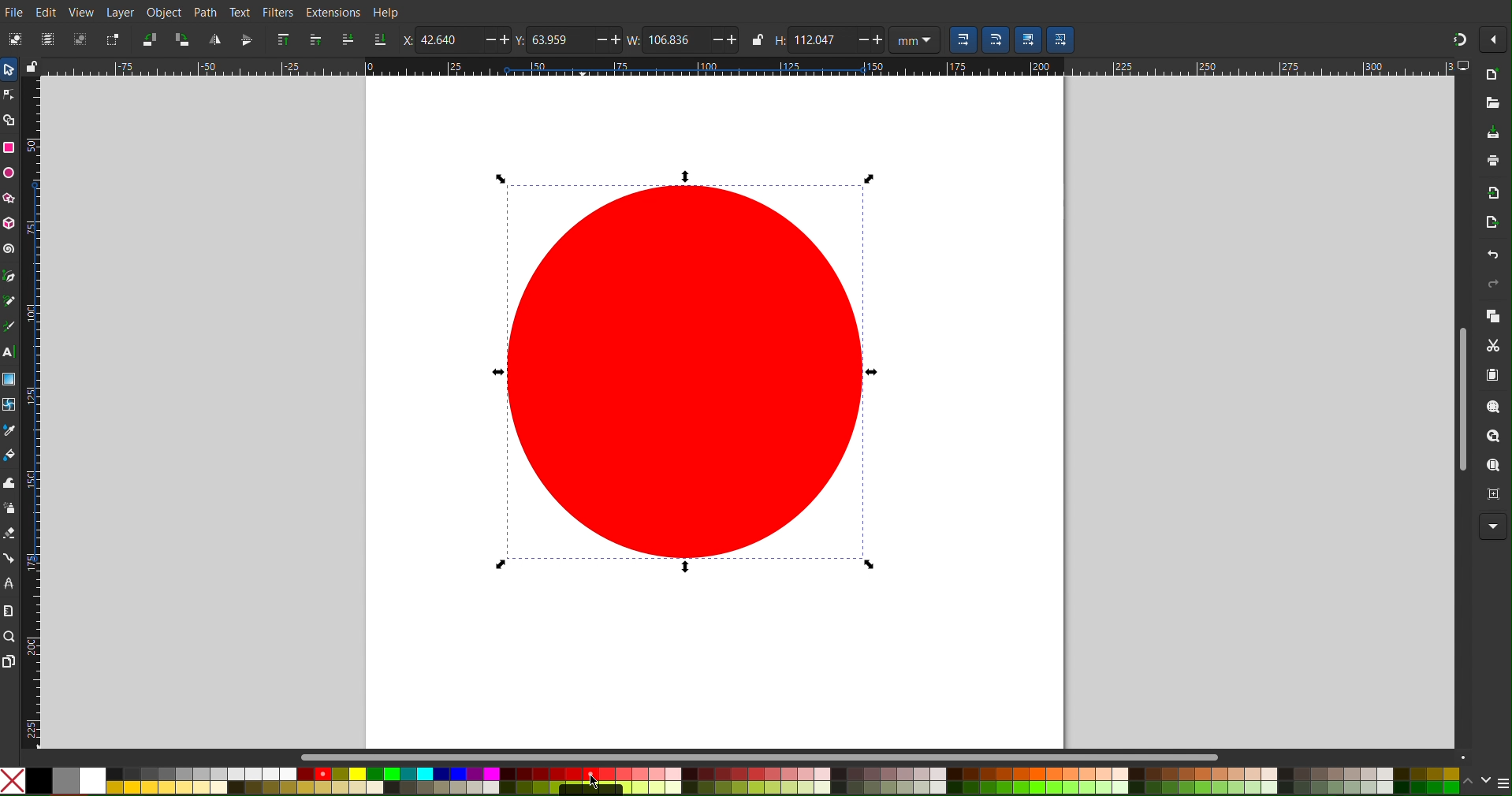 This screenshot has width=1512, height=796. What do you see at coordinates (1454, 39) in the screenshot?
I see `Snapping` at bounding box center [1454, 39].